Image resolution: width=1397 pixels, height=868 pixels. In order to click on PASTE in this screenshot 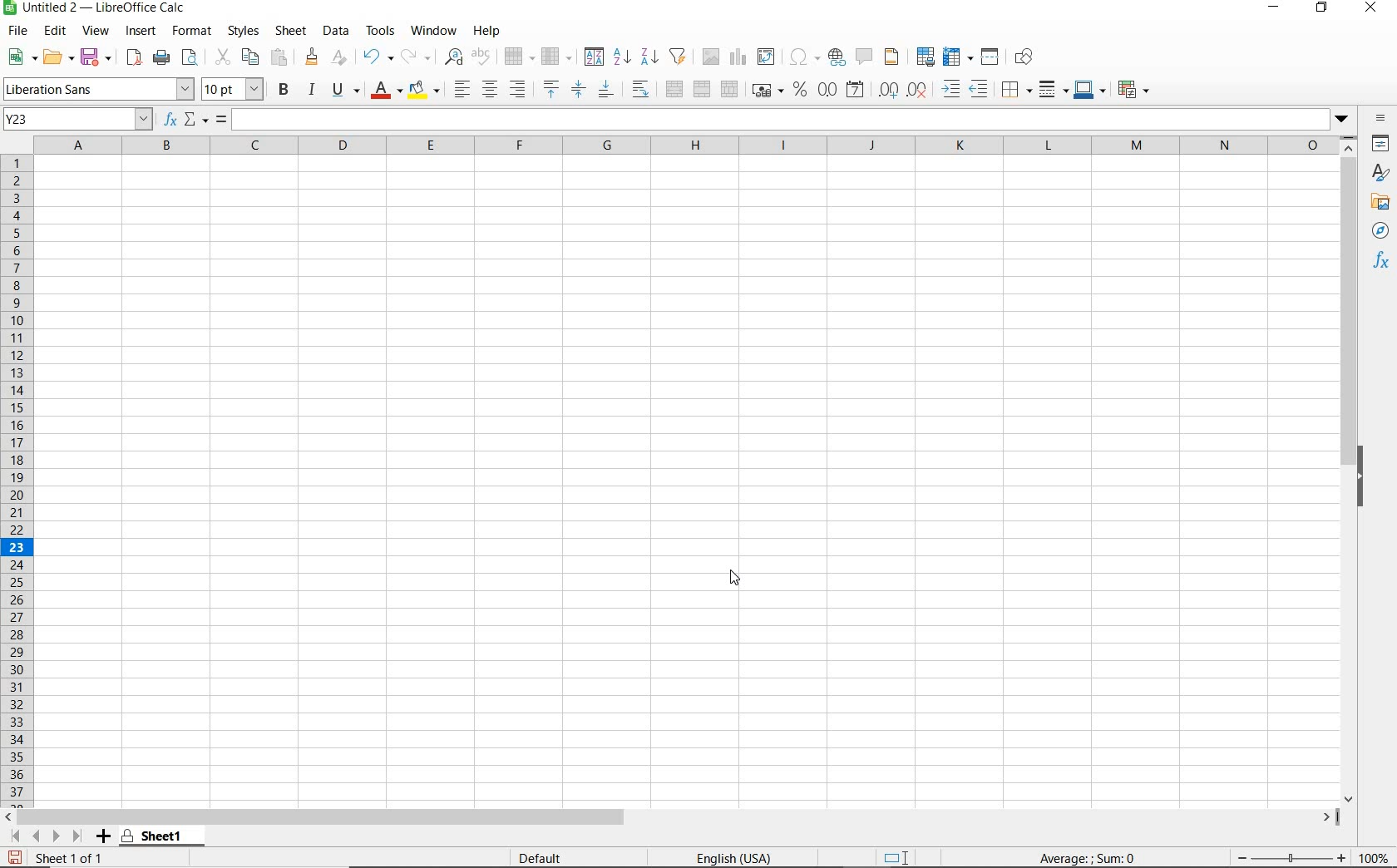, I will do `click(277, 57)`.